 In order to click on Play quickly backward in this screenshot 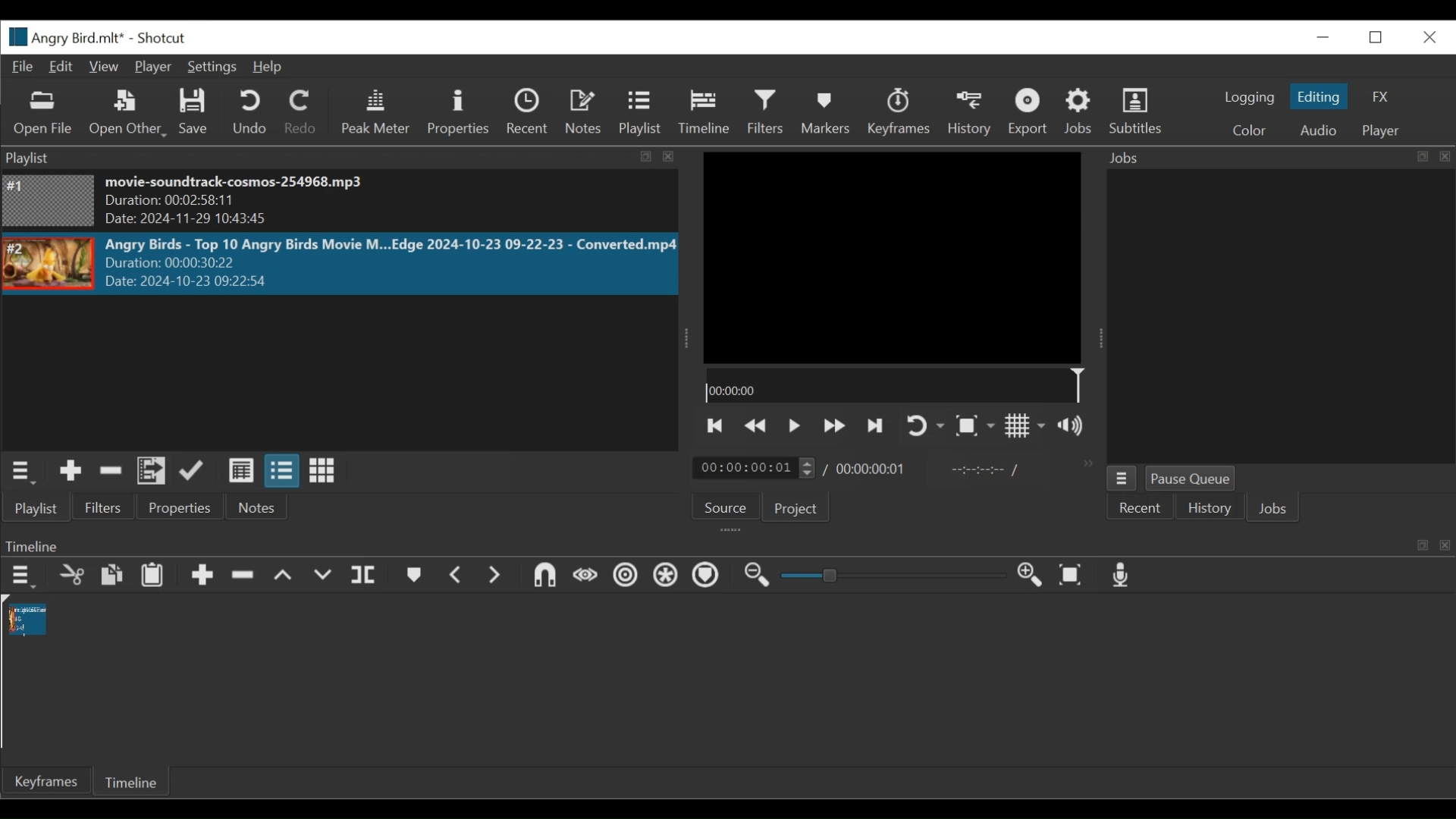, I will do `click(758, 426)`.